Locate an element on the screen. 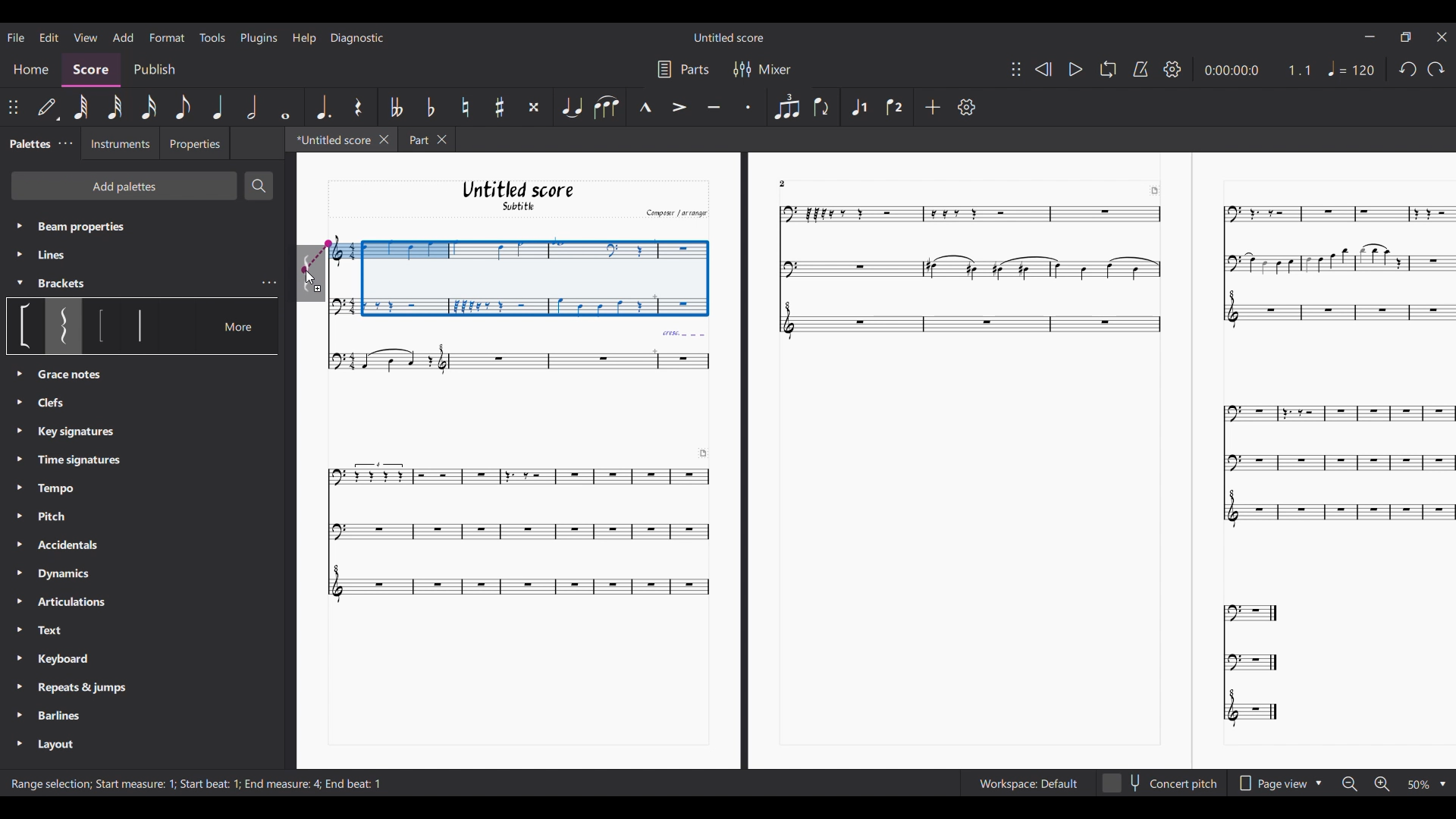 This screenshot has height=819, width=1456. Current duration and ratio is located at coordinates (1258, 70).